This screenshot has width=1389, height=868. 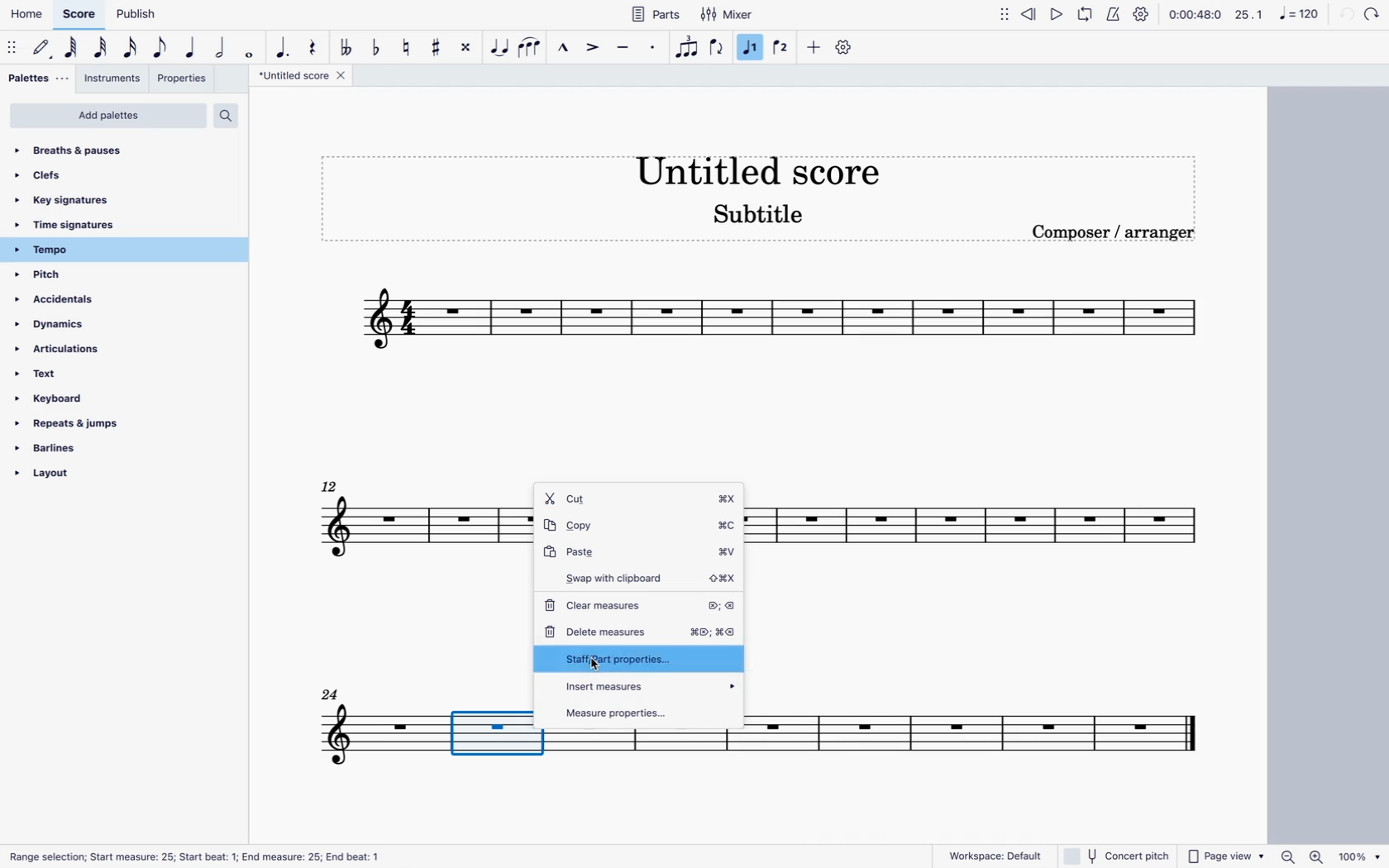 I want to click on breaths & pauses, so click(x=80, y=150).